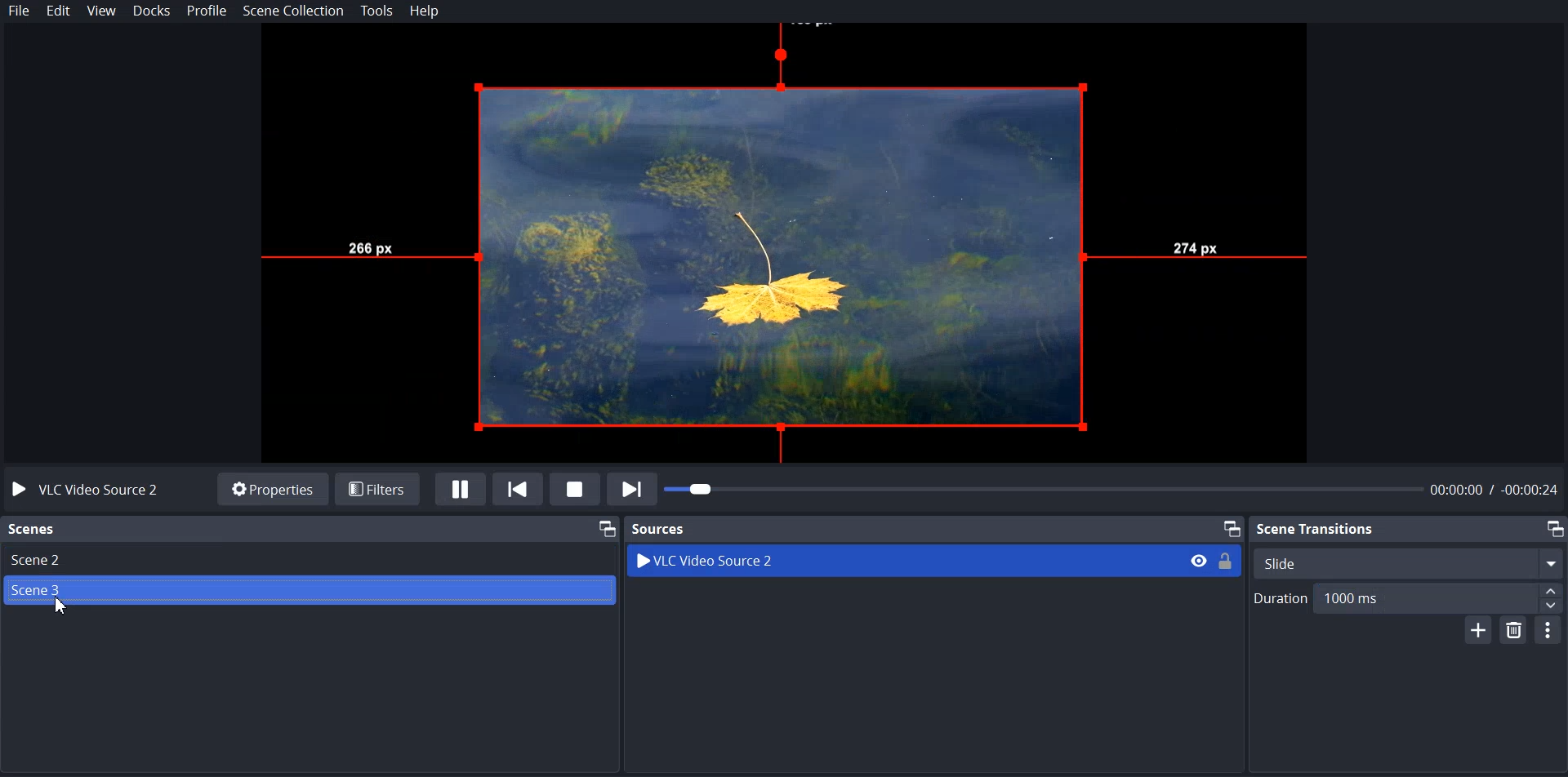 The width and height of the screenshot is (1568, 777). What do you see at coordinates (1480, 628) in the screenshot?
I see `Add Configurable Transition` at bounding box center [1480, 628].